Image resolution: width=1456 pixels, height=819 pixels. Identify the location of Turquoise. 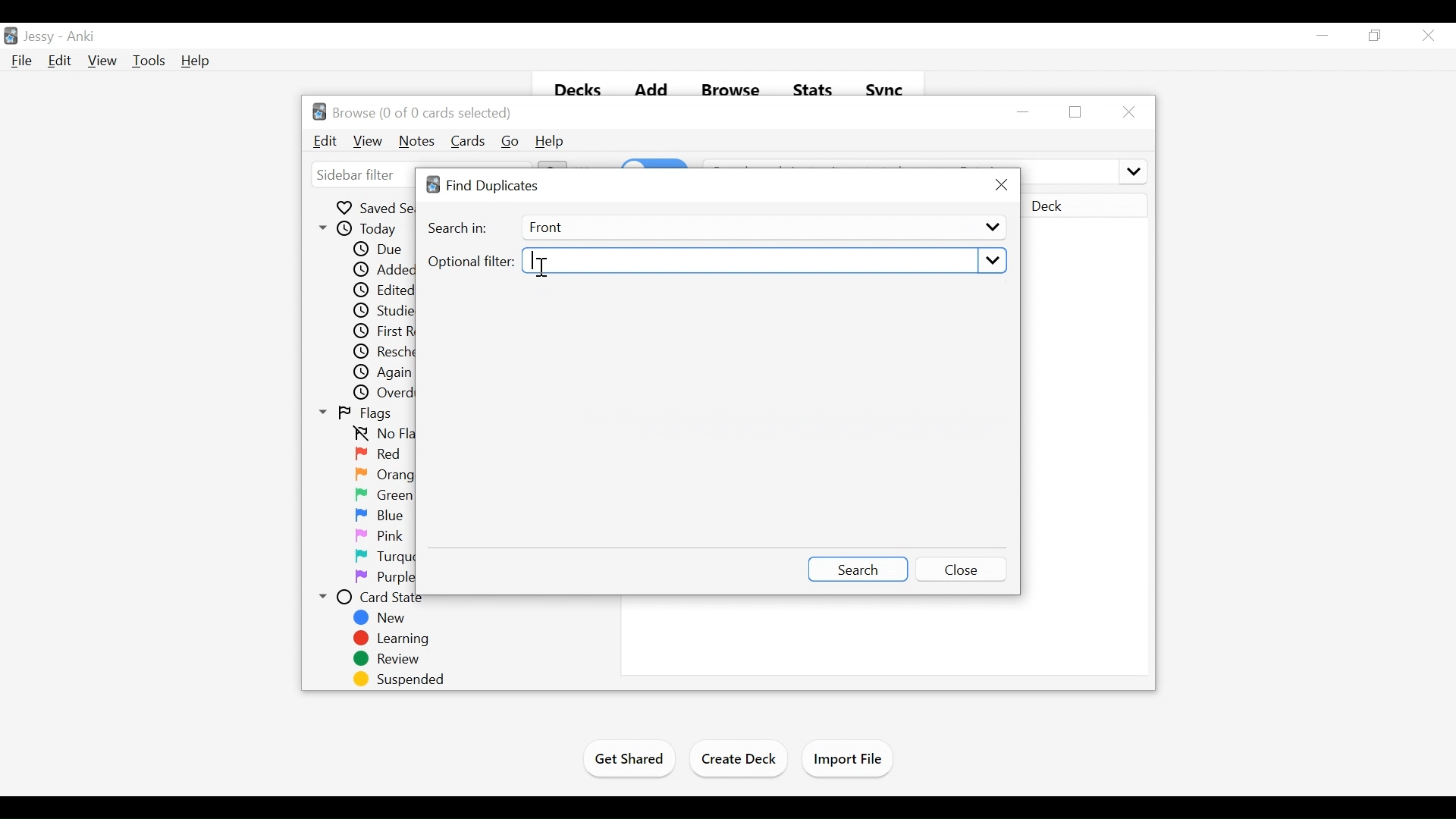
(403, 557).